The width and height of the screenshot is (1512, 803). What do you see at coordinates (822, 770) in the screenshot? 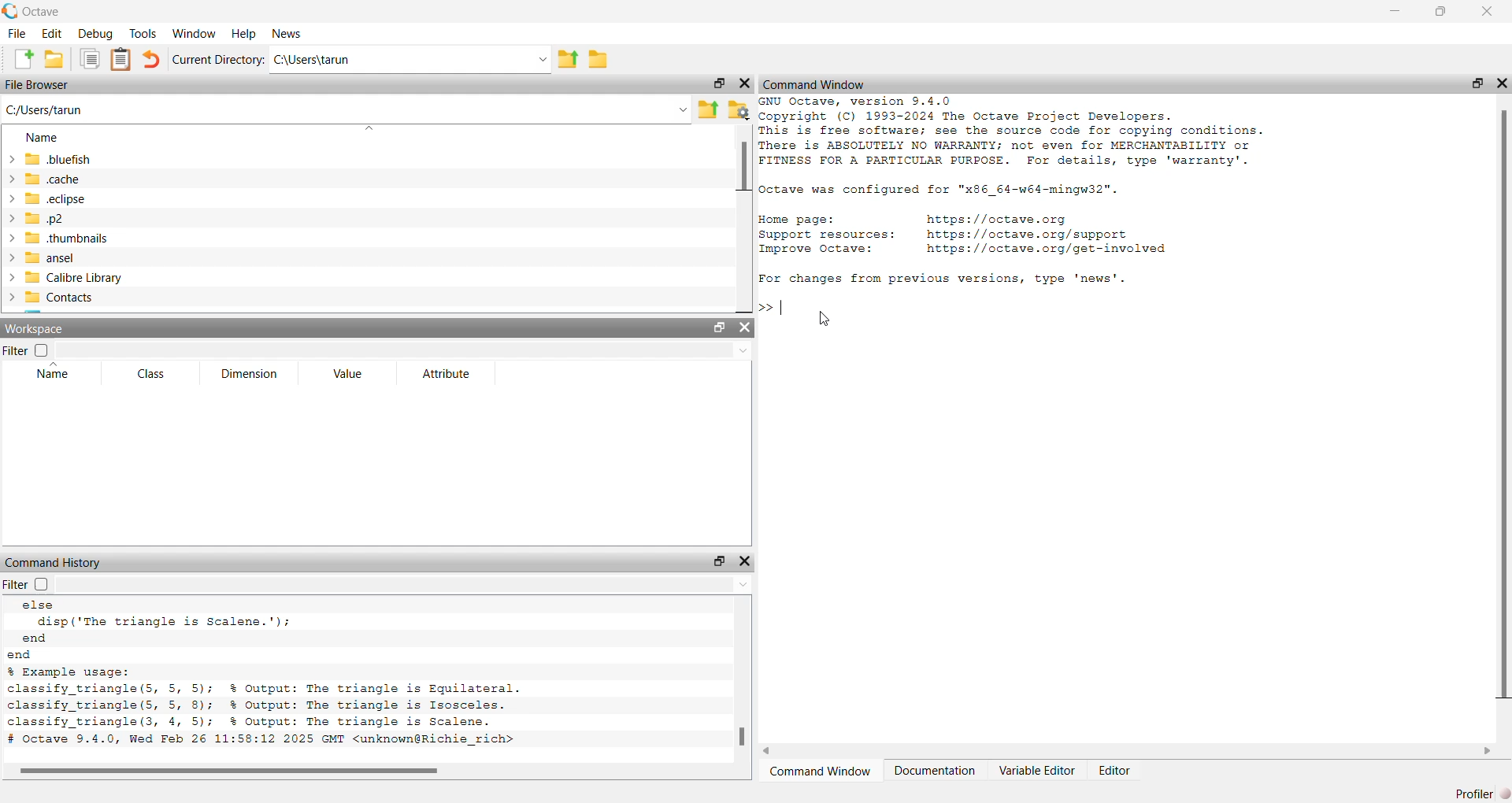
I see `command window` at bounding box center [822, 770].